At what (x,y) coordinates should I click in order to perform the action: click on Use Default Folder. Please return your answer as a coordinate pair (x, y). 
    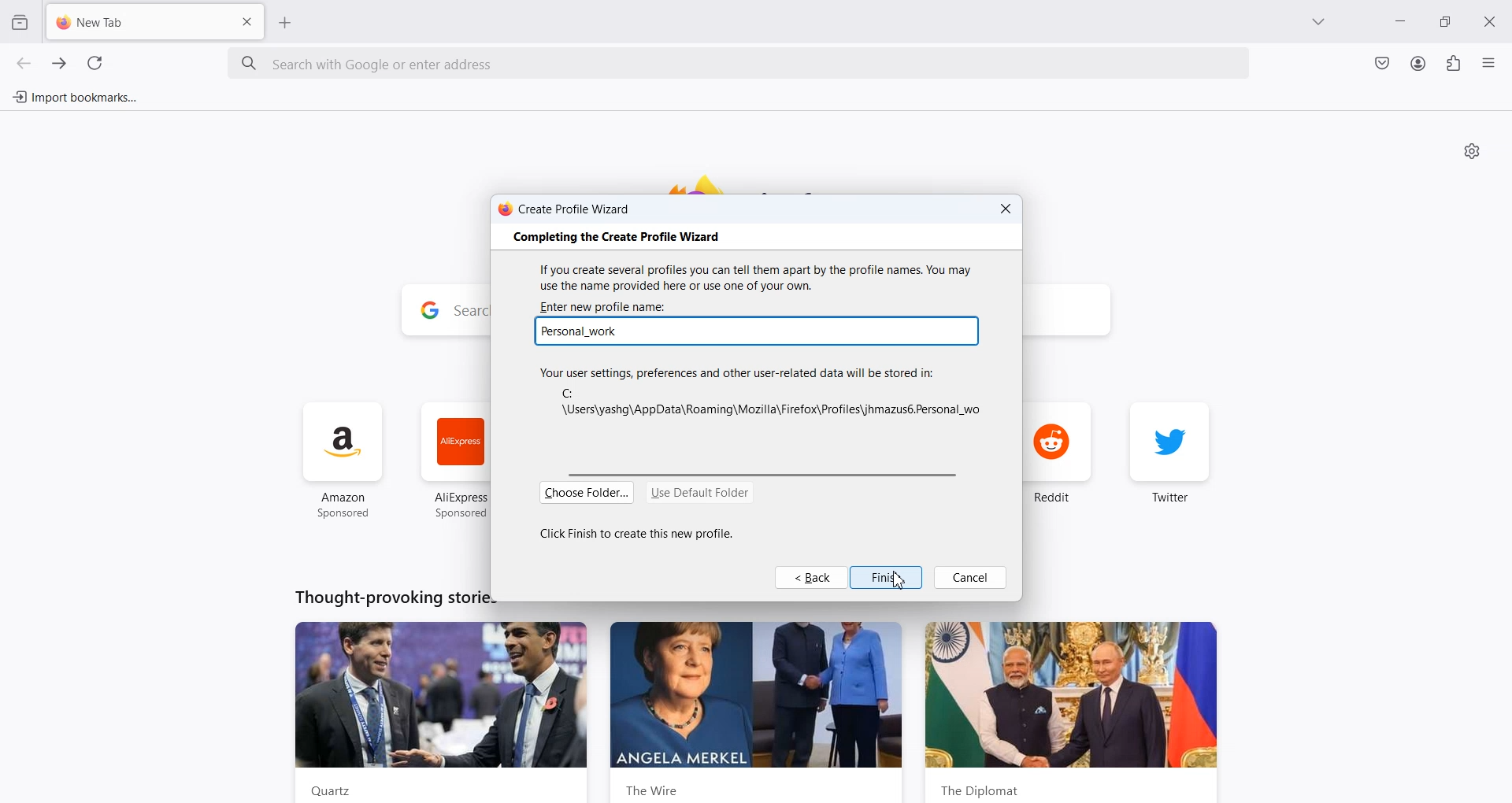
    Looking at the image, I should click on (707, 495).